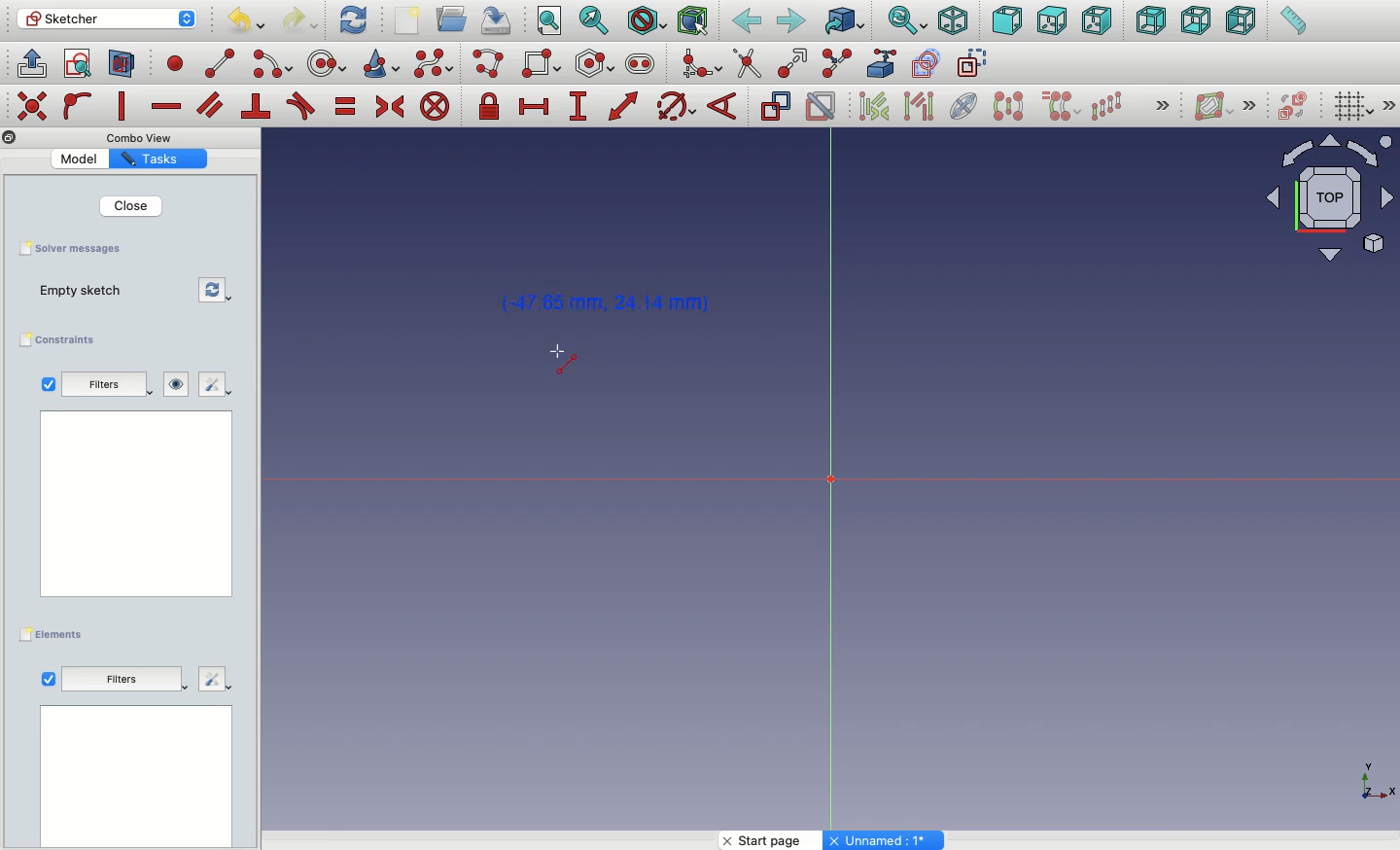 The width and height of the screenshot is (1400, 850). What do you see at coordinates (81, 250) in the screenshot?
I see `Save` at bounding box center [81, 250].